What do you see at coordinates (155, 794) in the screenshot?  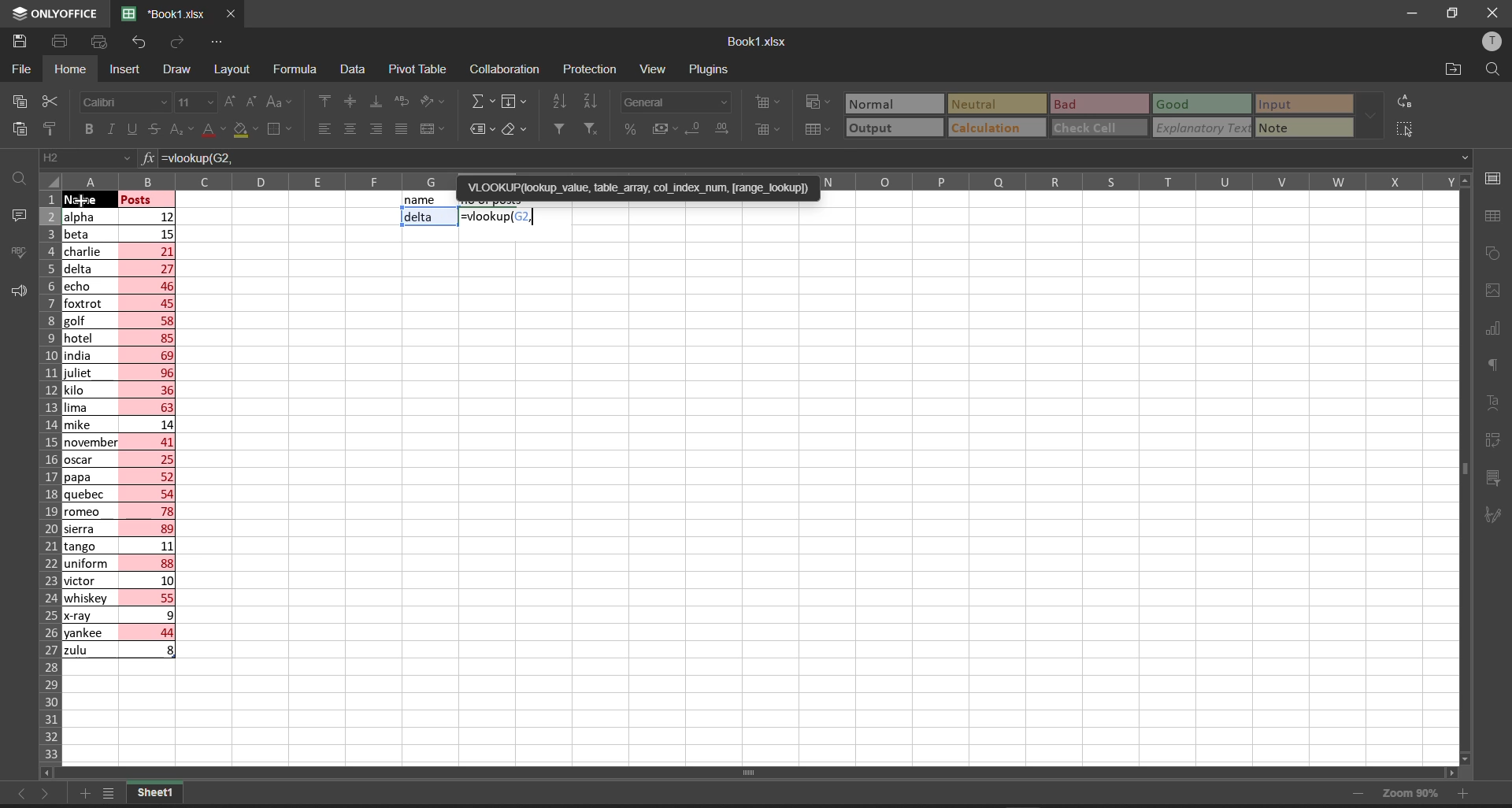 I see `sheet1` at bounding box center [155, 794].